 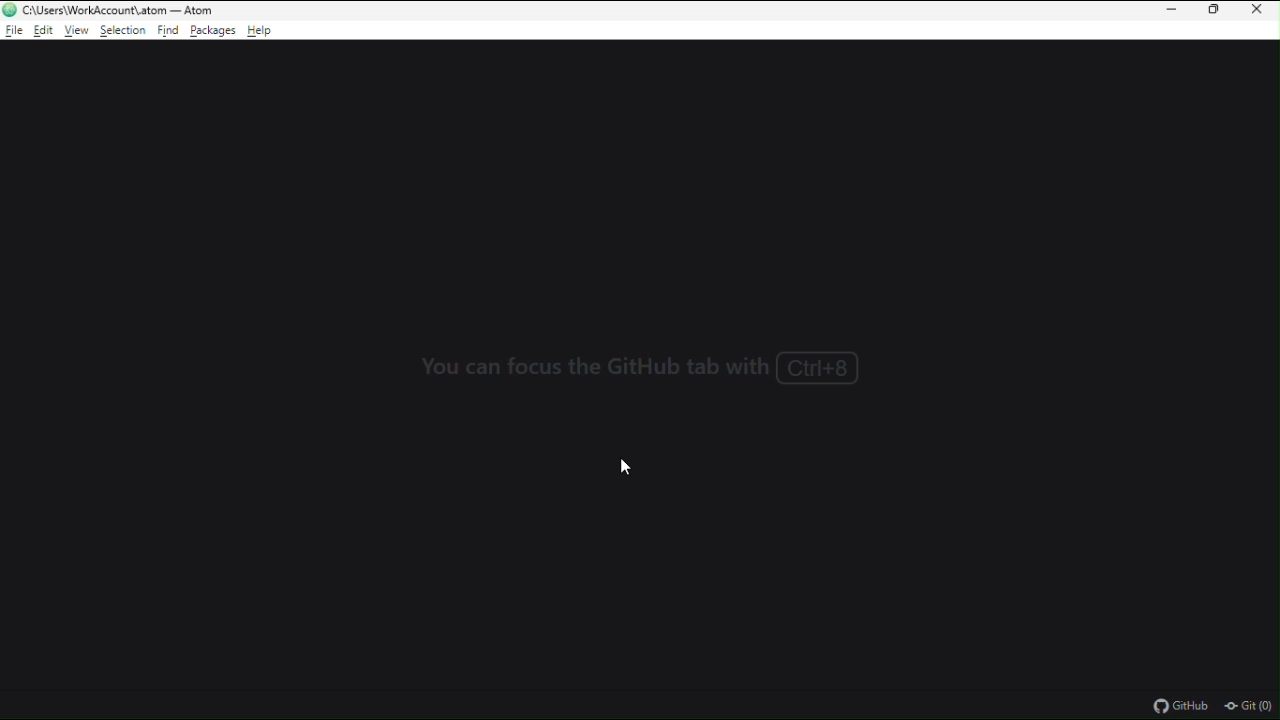 What do you see at coordinates (214, 32) in the screenshot?
I see `Packages ` at bounding box center [214, 32].